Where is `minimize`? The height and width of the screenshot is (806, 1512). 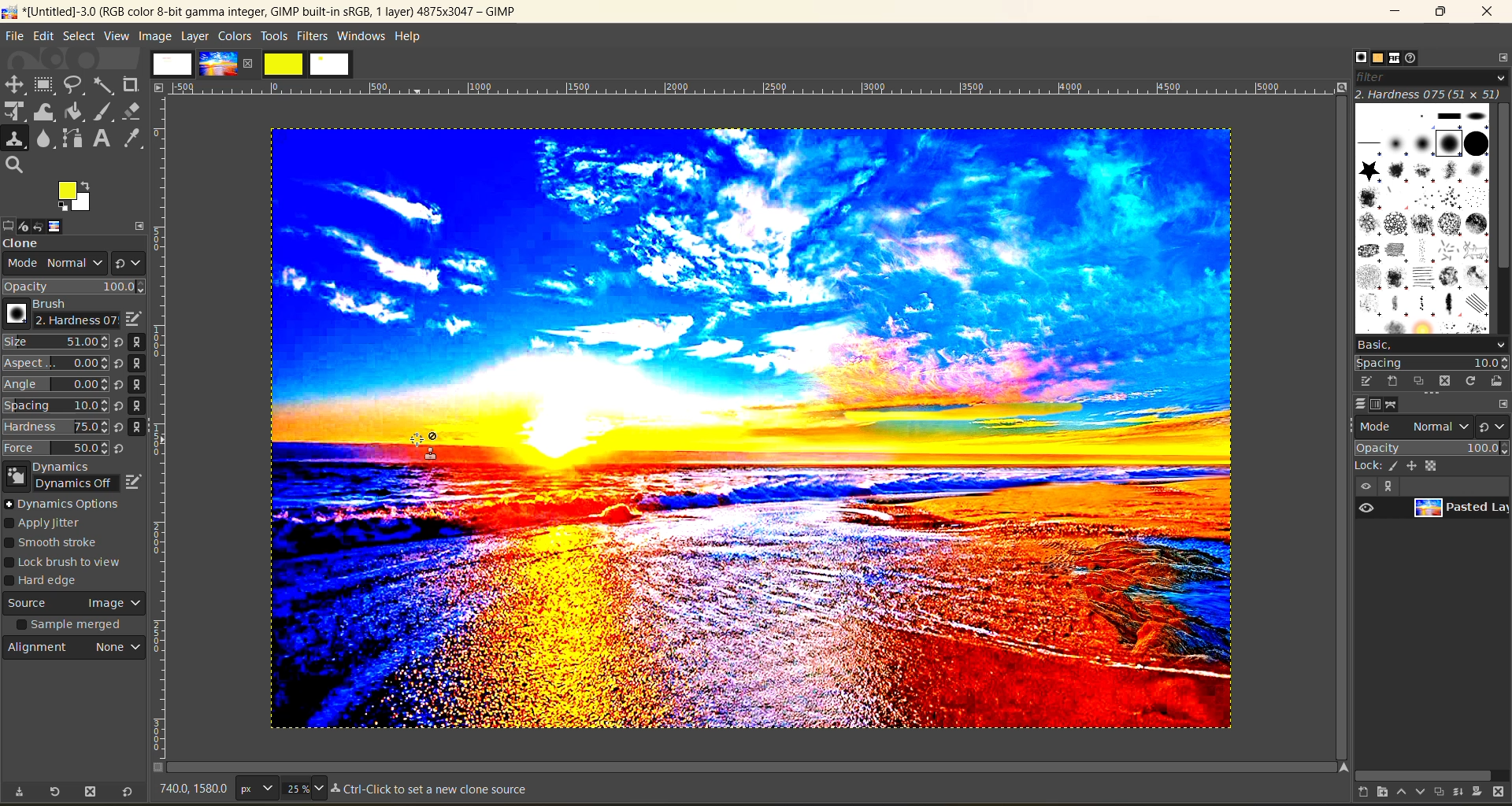 minimize is located at coordinates (1399, 12).